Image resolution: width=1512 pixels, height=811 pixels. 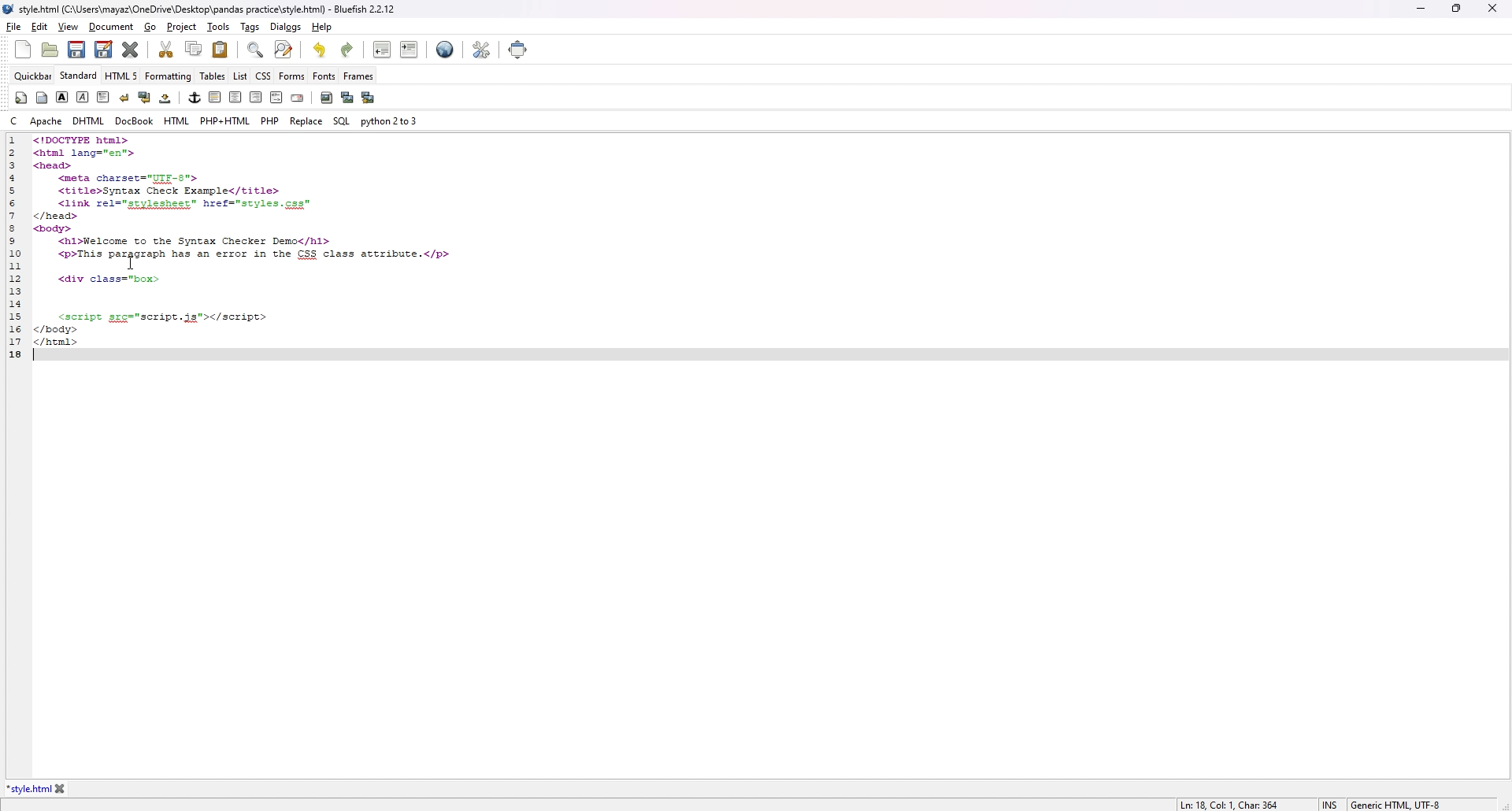 I want to click on right indent, so click(x=258, y=98).